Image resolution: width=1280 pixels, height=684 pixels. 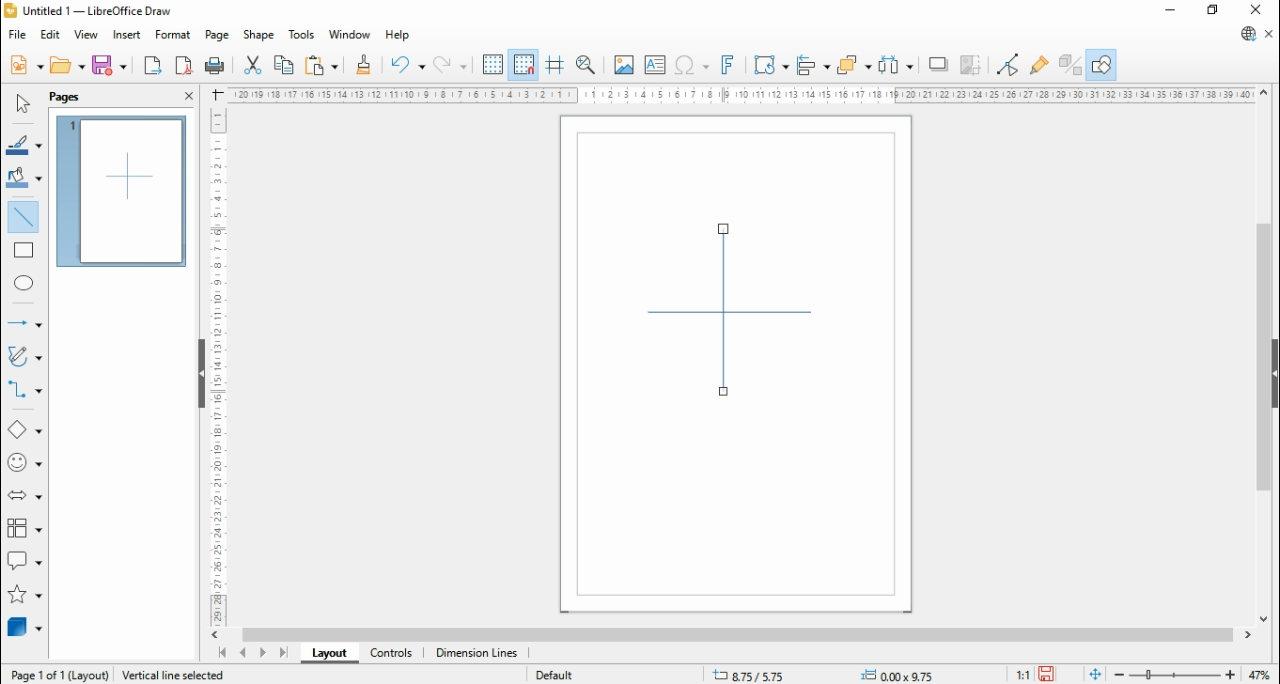 I want to click on insert special character, so click(x=690, y=65).